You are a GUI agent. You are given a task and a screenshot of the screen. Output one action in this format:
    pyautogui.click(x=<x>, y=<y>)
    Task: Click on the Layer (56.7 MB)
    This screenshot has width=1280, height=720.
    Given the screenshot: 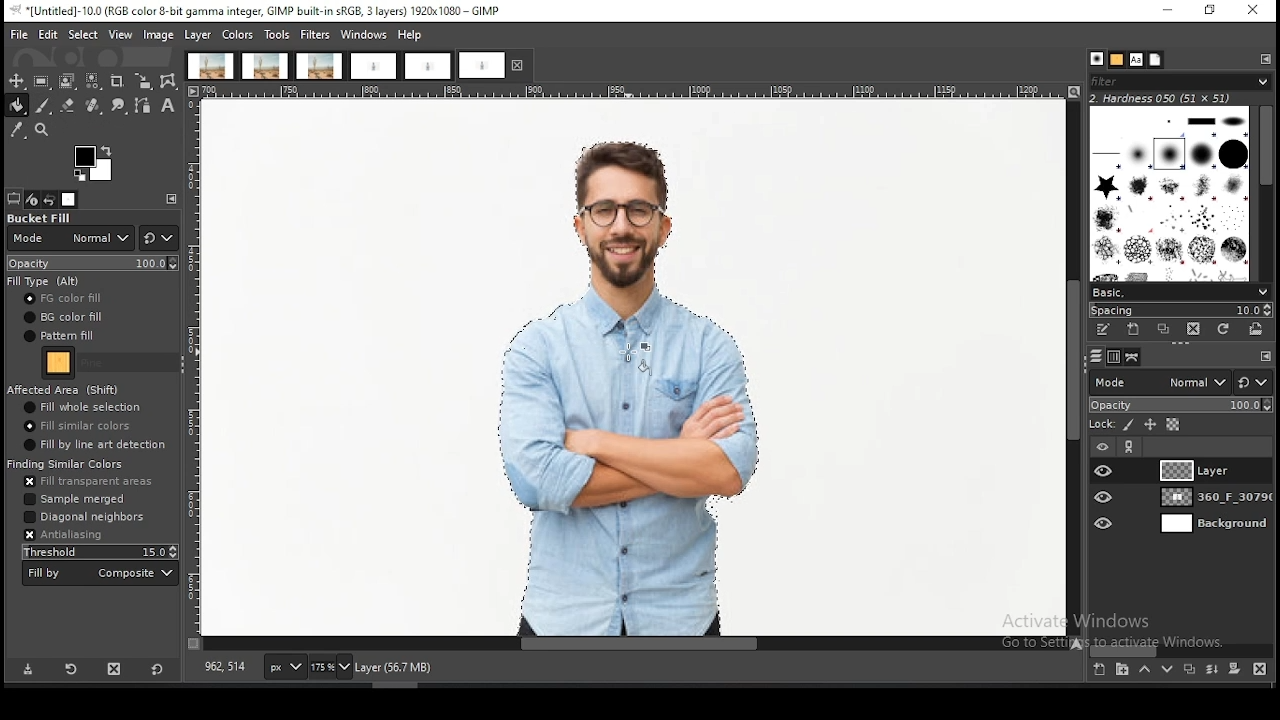 What is the action you would take?
    pyautogui.click(x=407, y=668)
    